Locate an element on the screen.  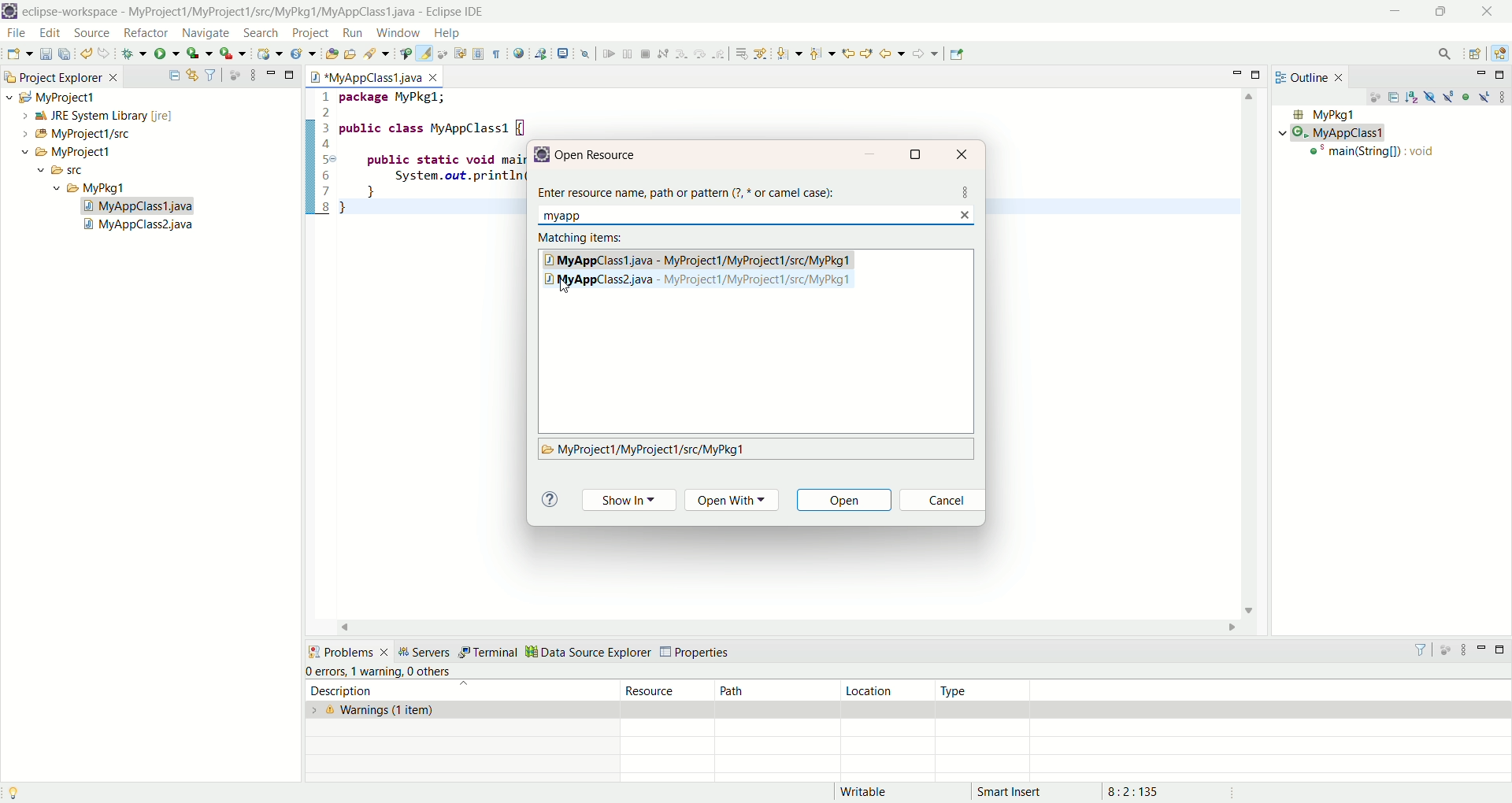
forward is located at coordinates (925, 54).